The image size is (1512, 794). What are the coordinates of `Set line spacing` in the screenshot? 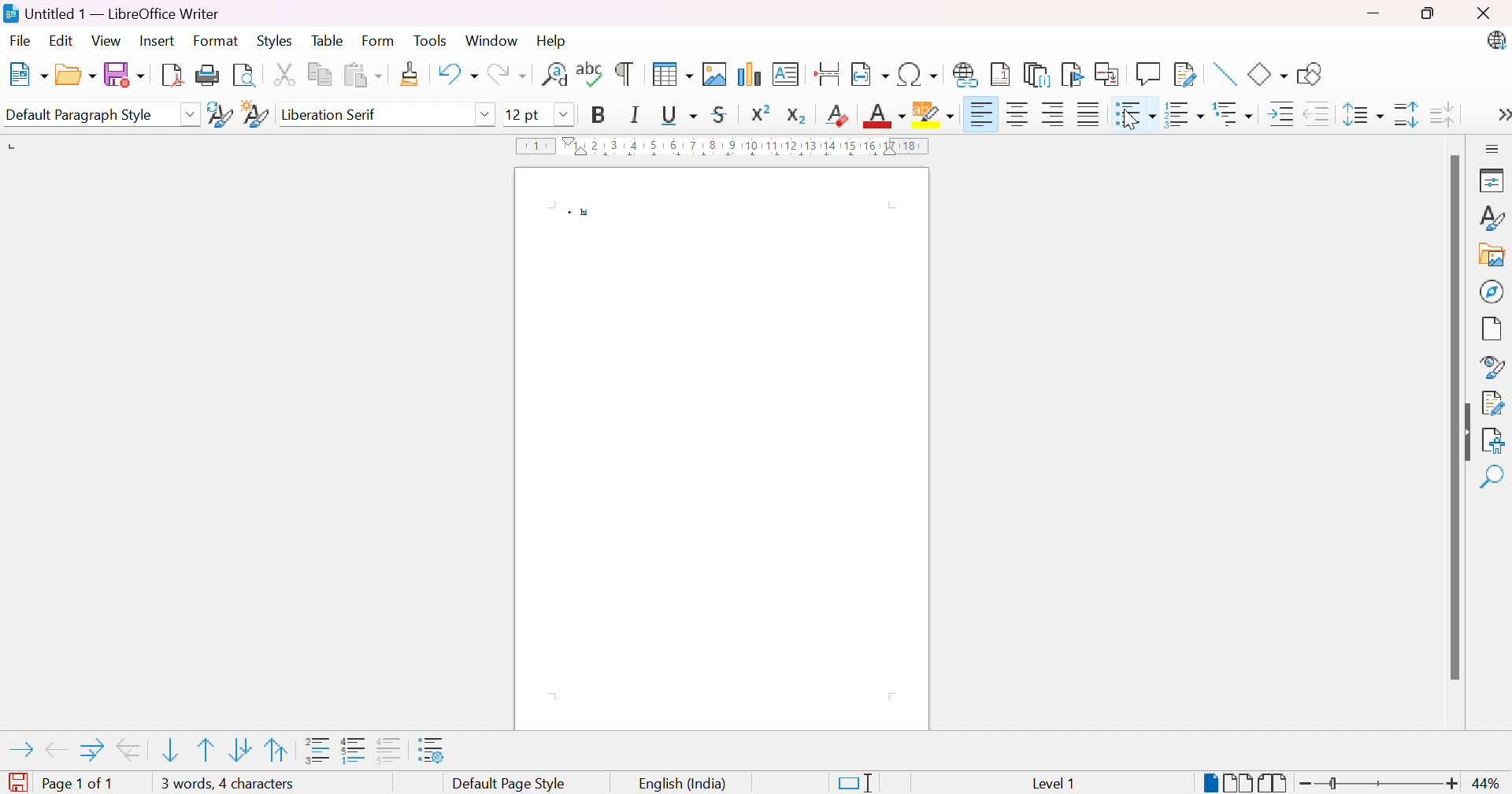 It's located at (1366, 115).